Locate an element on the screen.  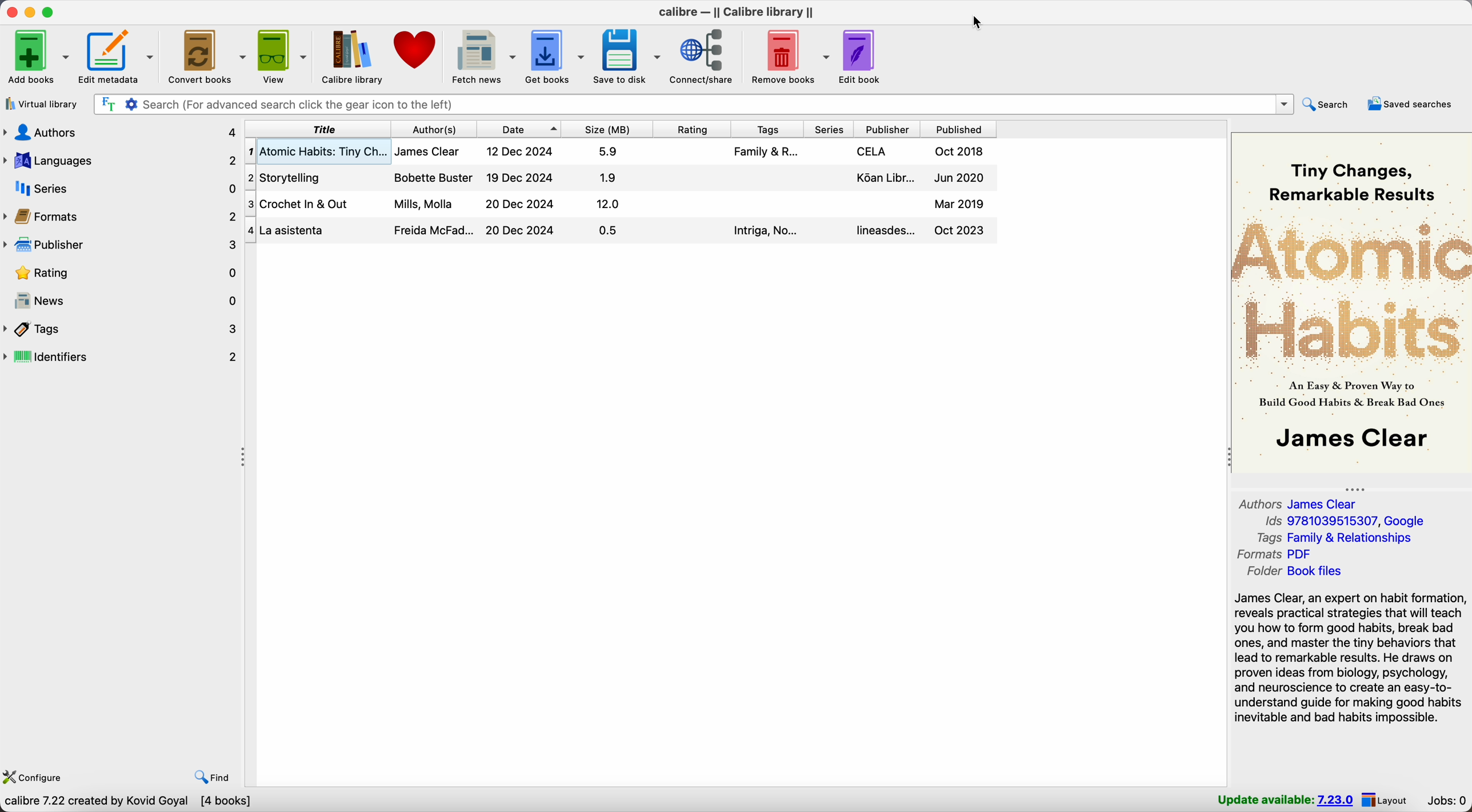
publisher is located at coordinates (887, 130).